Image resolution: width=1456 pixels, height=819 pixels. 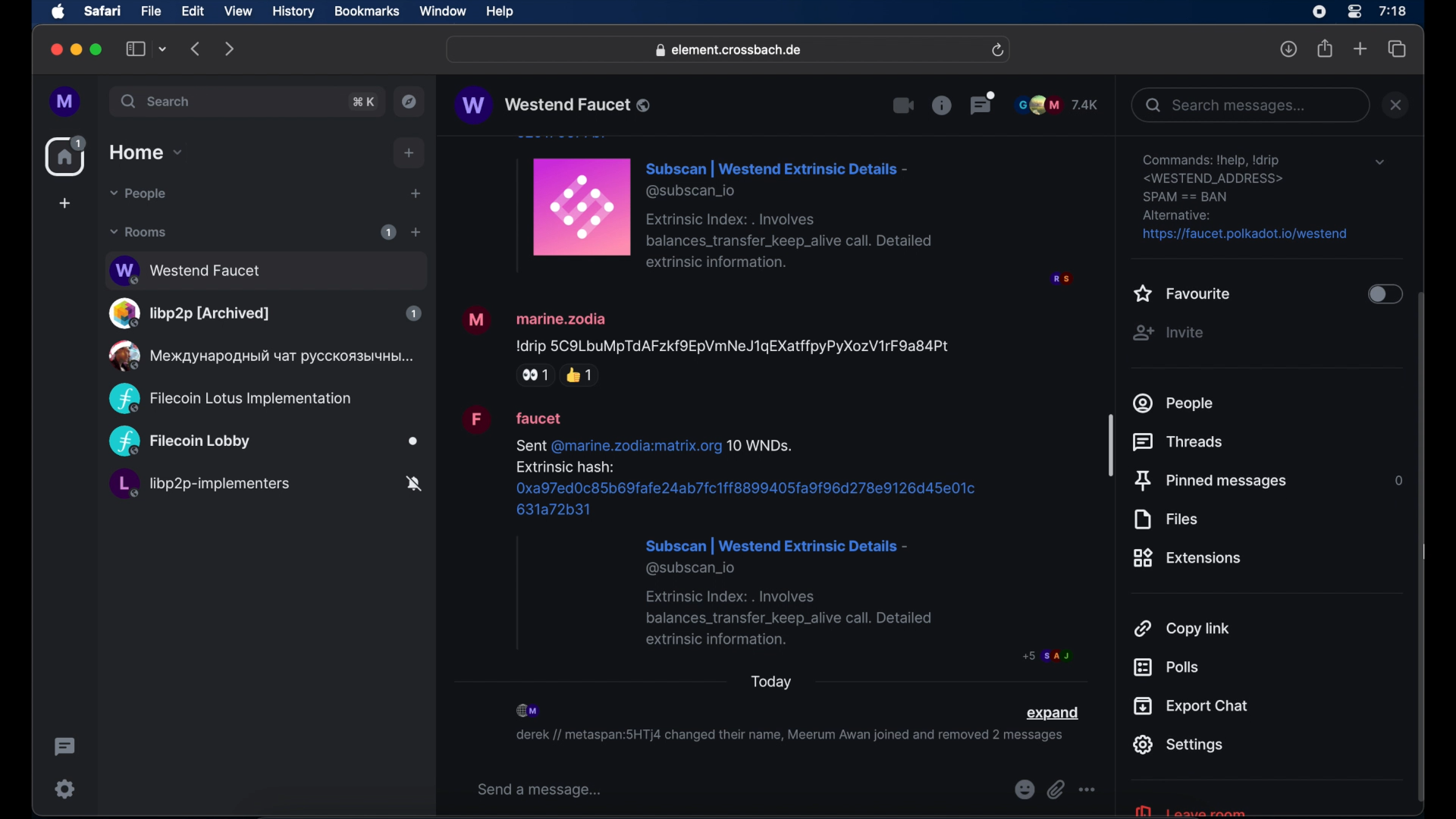 I want to click on today, so click(x=772, y=682).